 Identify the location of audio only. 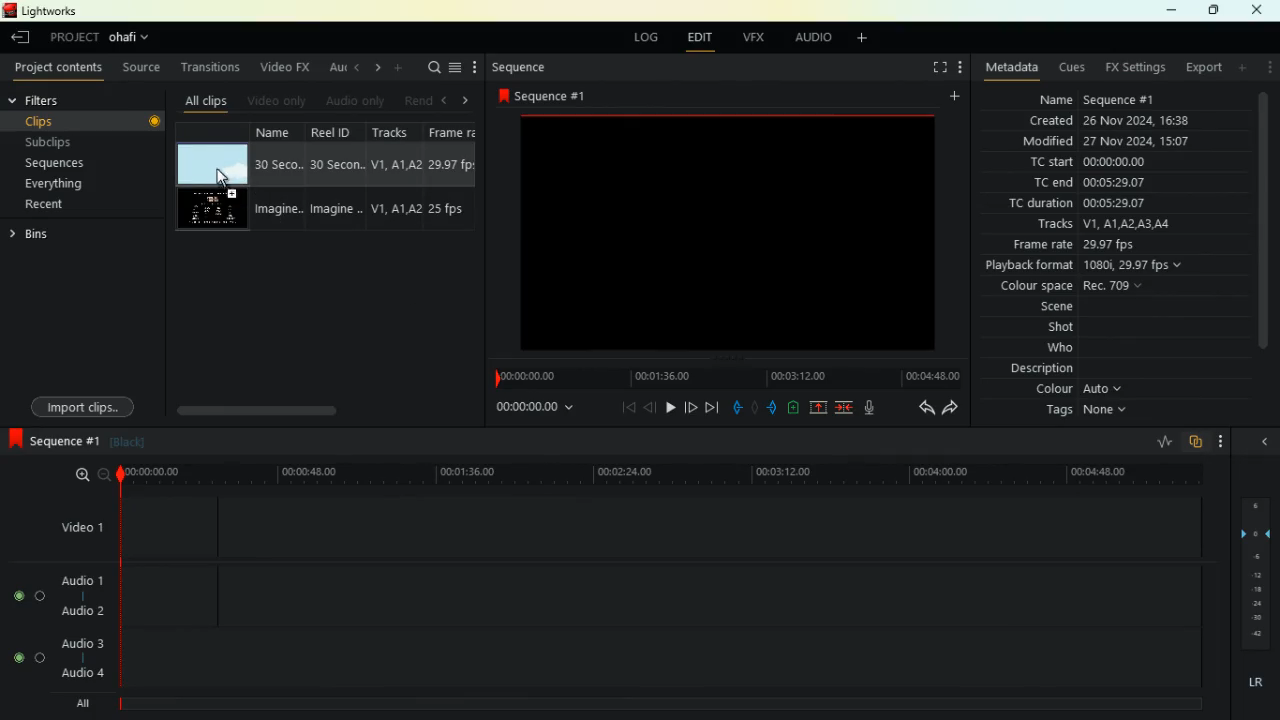
(359, 100).